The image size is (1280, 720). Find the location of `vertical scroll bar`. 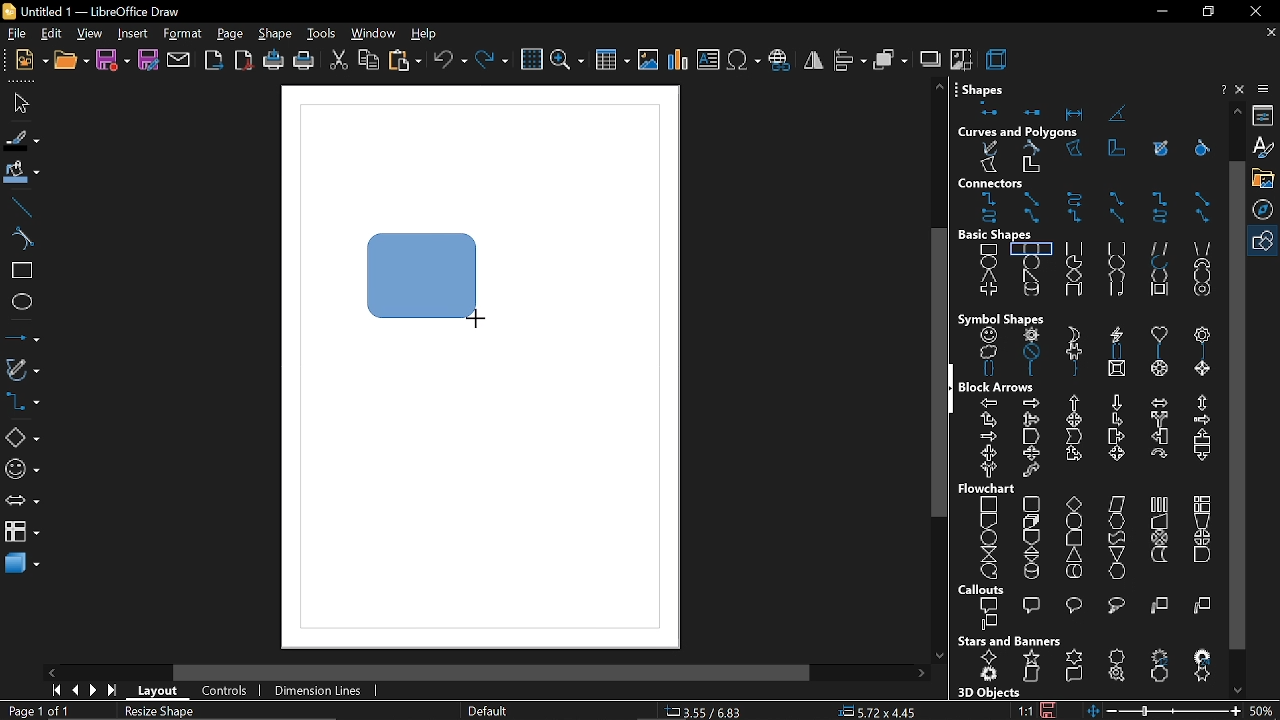

vertical scroll bar is located at coordinates (933, 376).